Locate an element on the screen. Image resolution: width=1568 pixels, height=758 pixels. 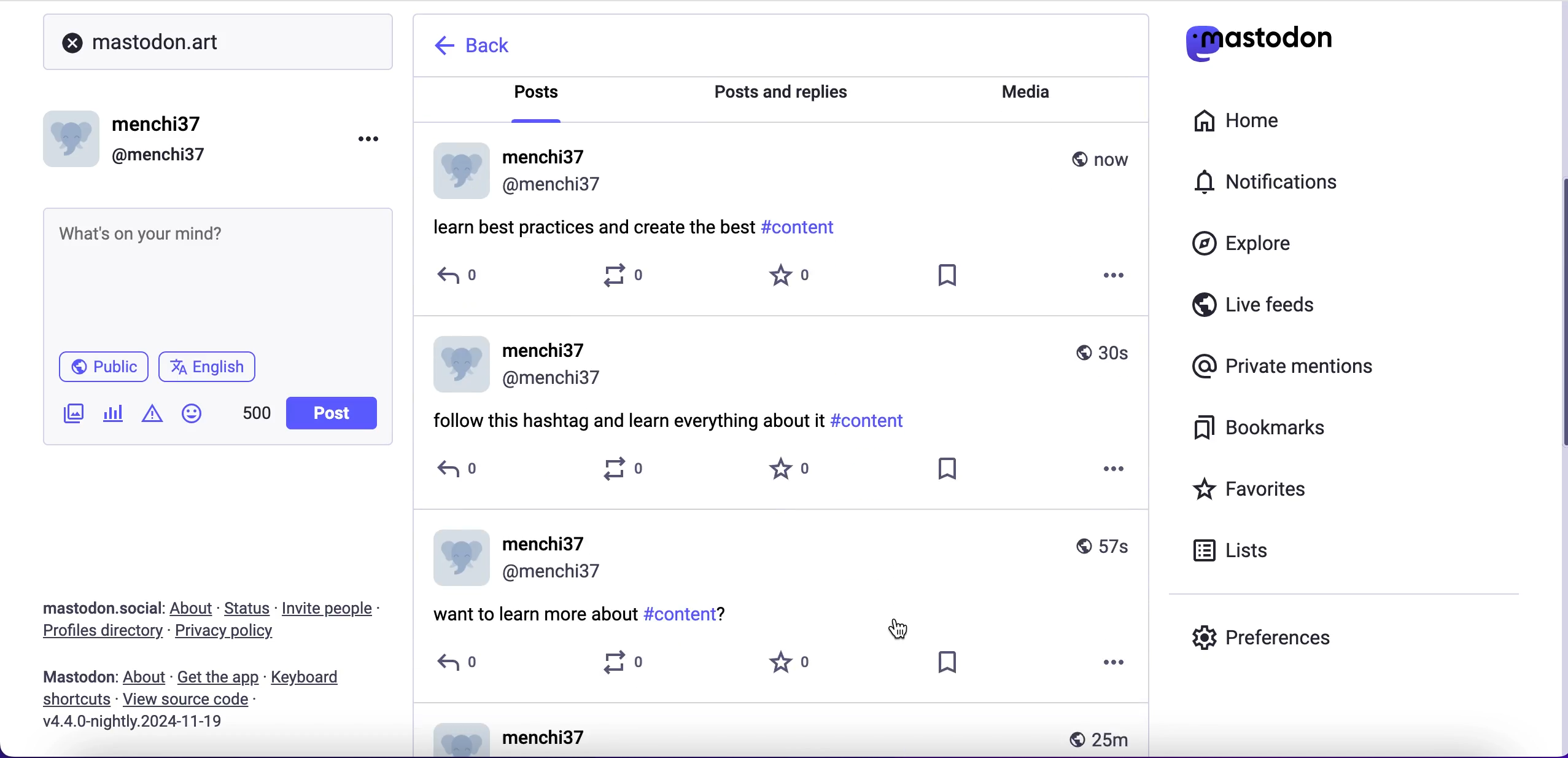
0 replies is located at coordinates (454, 279).